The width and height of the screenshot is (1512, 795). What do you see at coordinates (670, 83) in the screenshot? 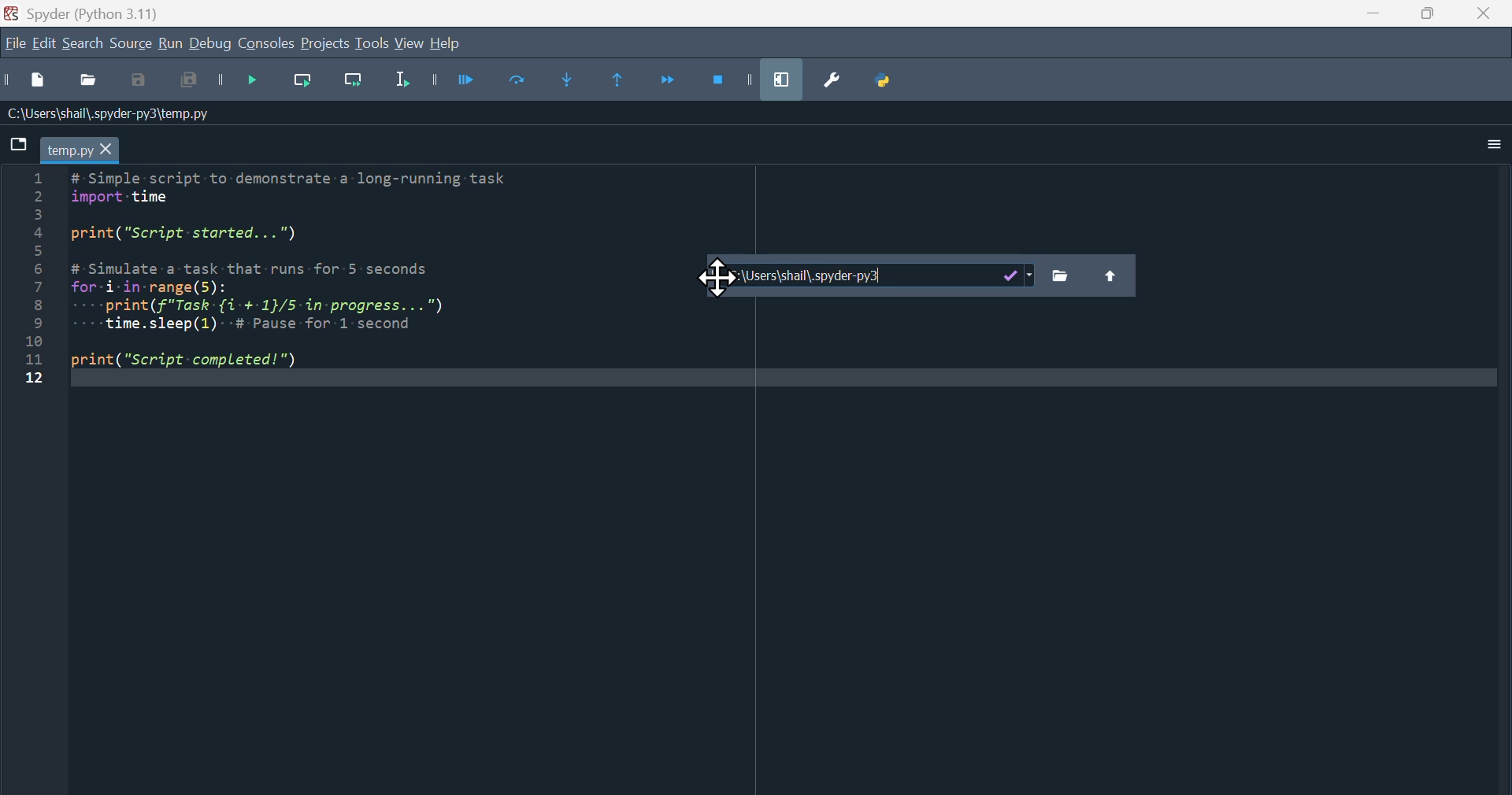
I see `Continue execution until next function` at bounding box center [670, 83].